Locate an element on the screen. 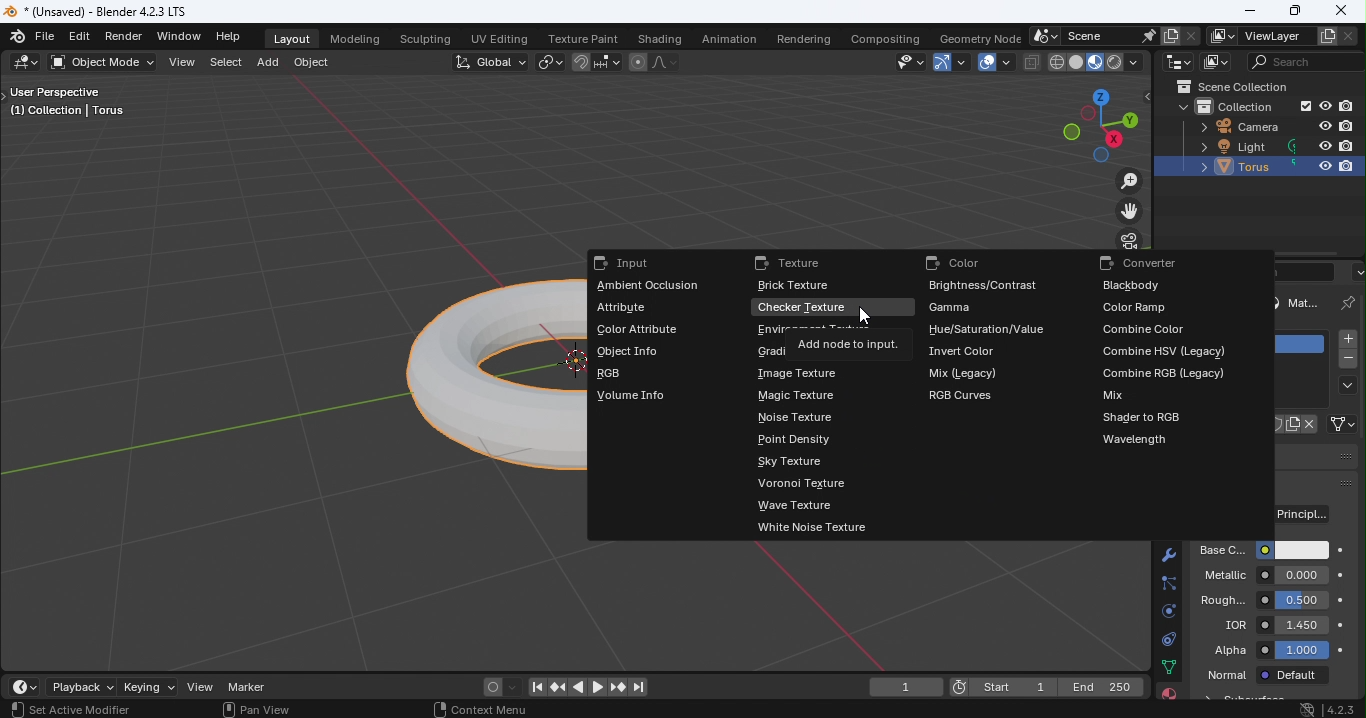 The height and width of the screenshot is (718, 1366). The active workspace view layer showing in the window is located at coordinates (1220, 36).